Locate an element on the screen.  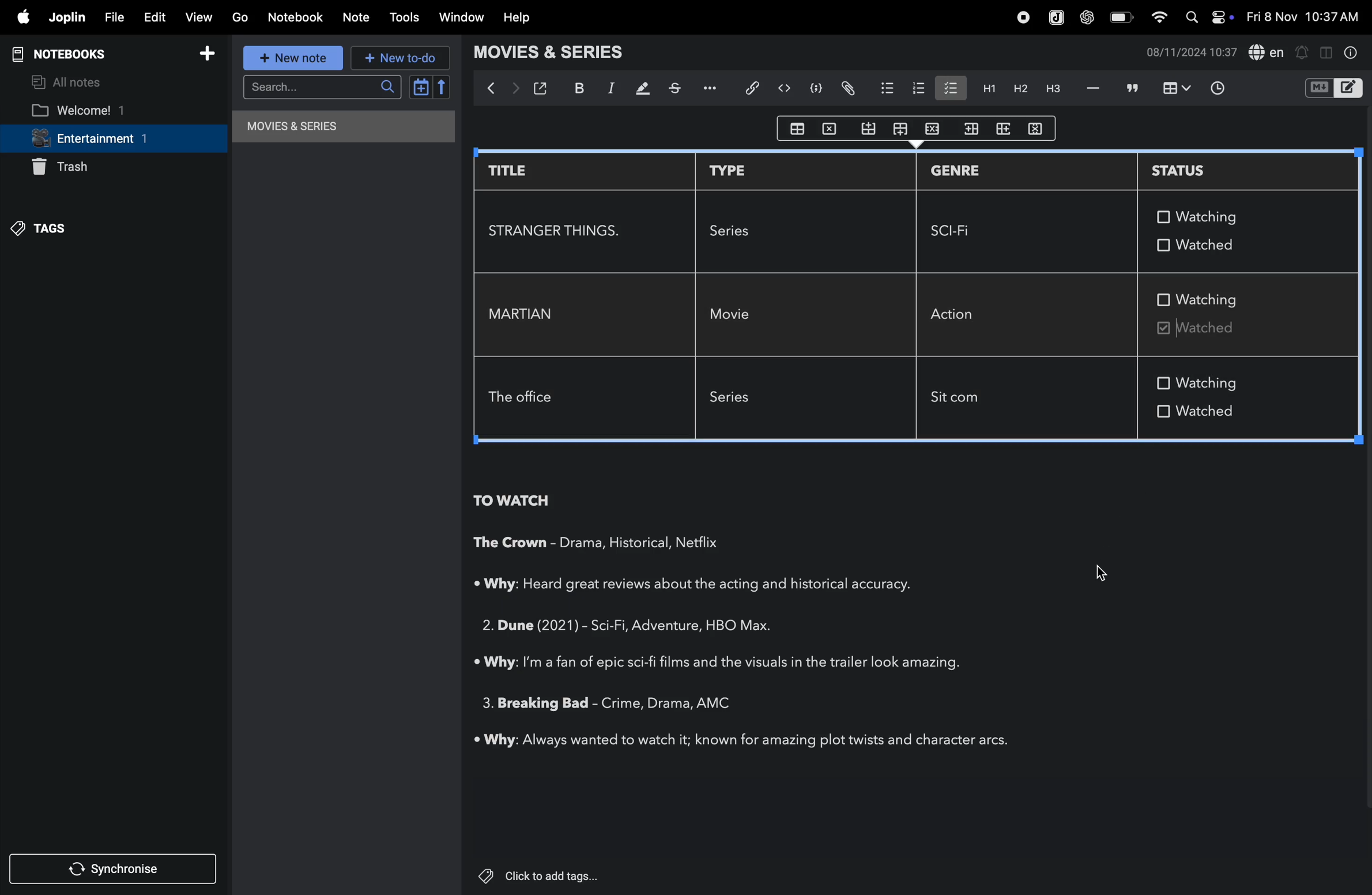
apple widgets is located at coordinates (1212, 16).